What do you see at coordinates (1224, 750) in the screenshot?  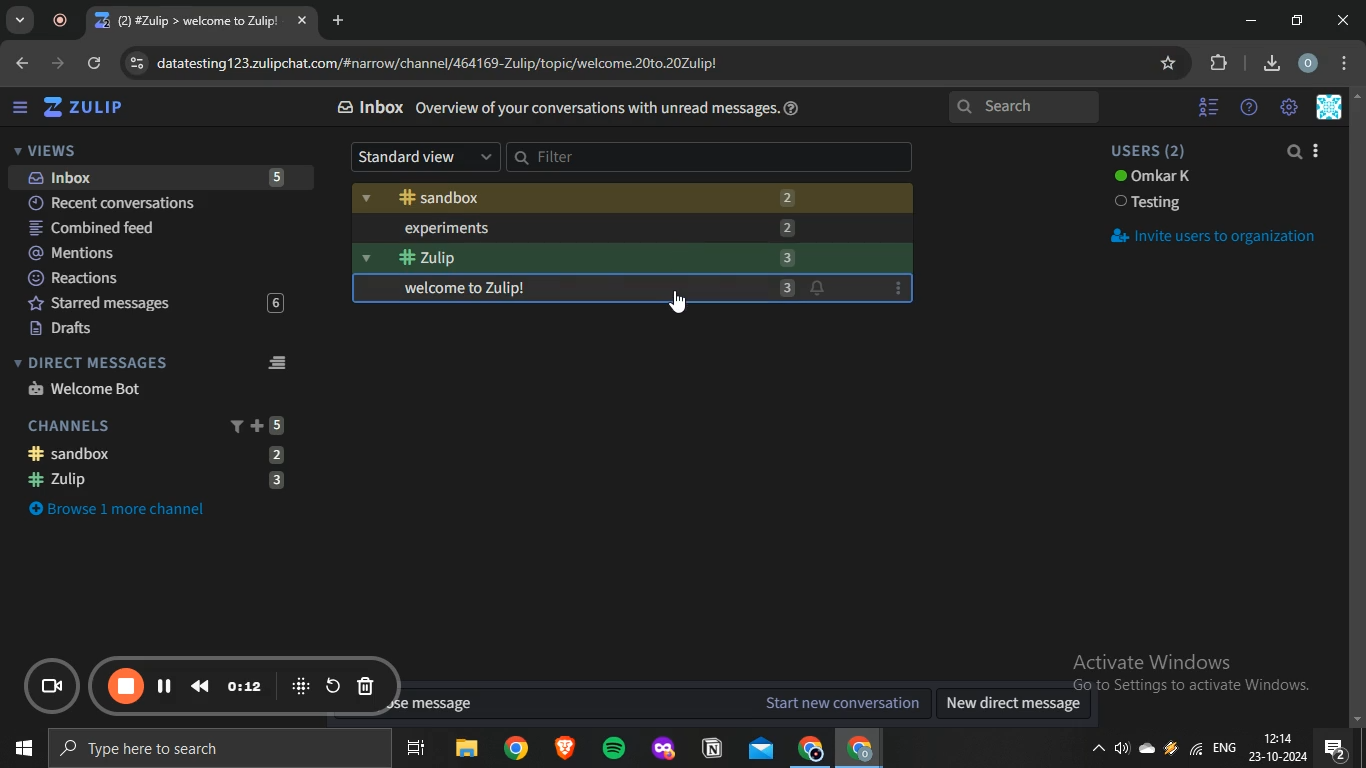 I see `english` at bounding box center [1224, 750].